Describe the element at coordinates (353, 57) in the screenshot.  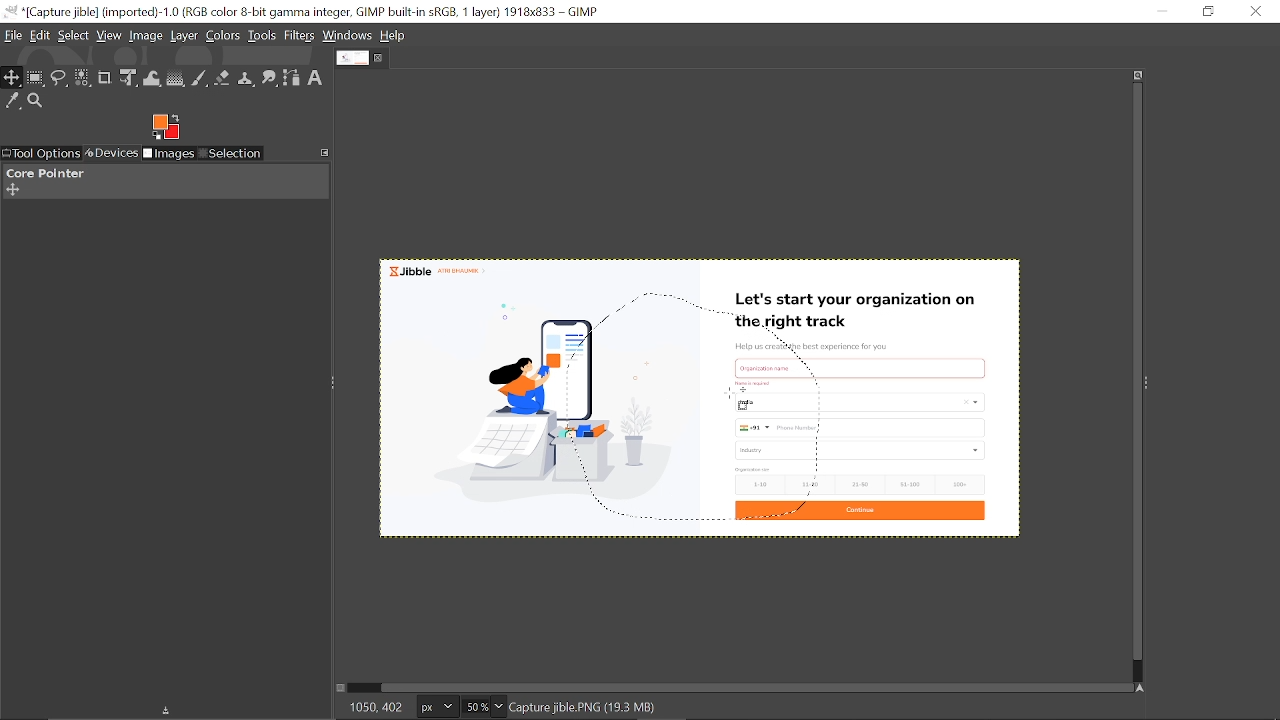
I see `Current tab` at that location.